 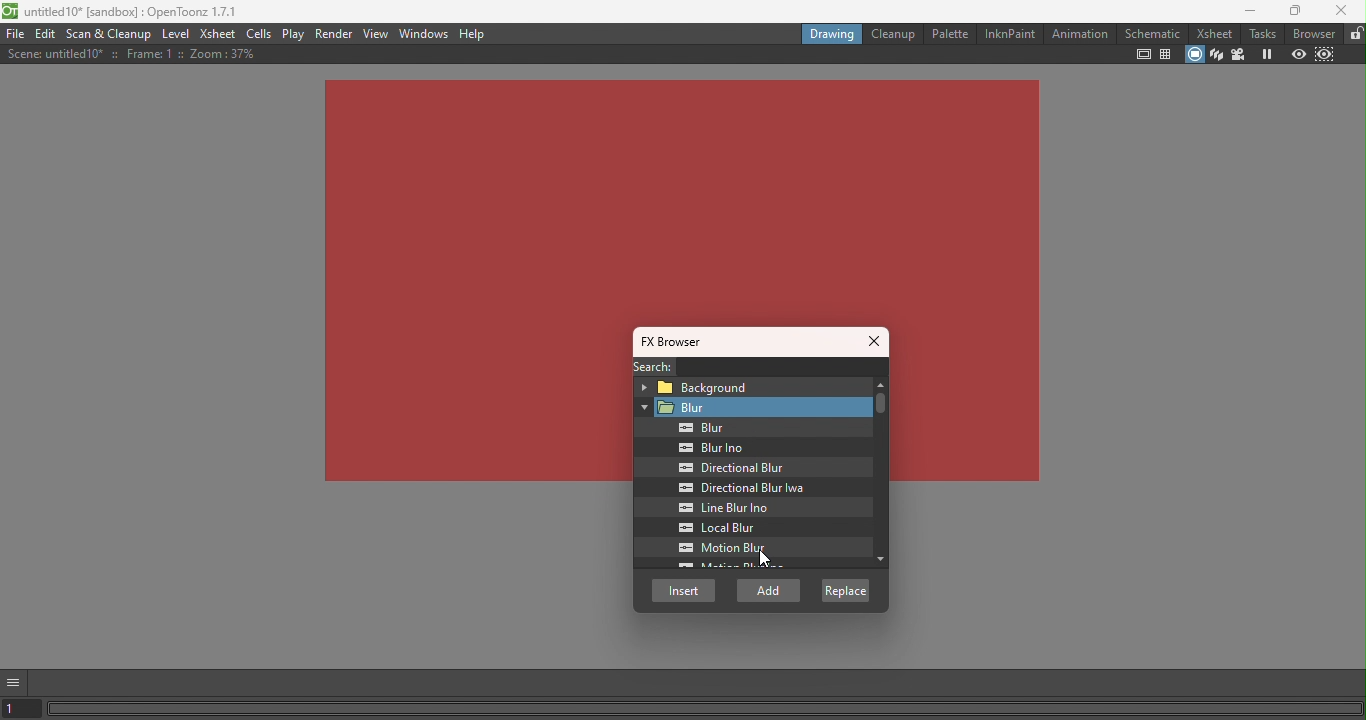 What do you see at coordinates (726, 548) in the screenshot?
I see `Motion blur` at bounding box center [726, 548].